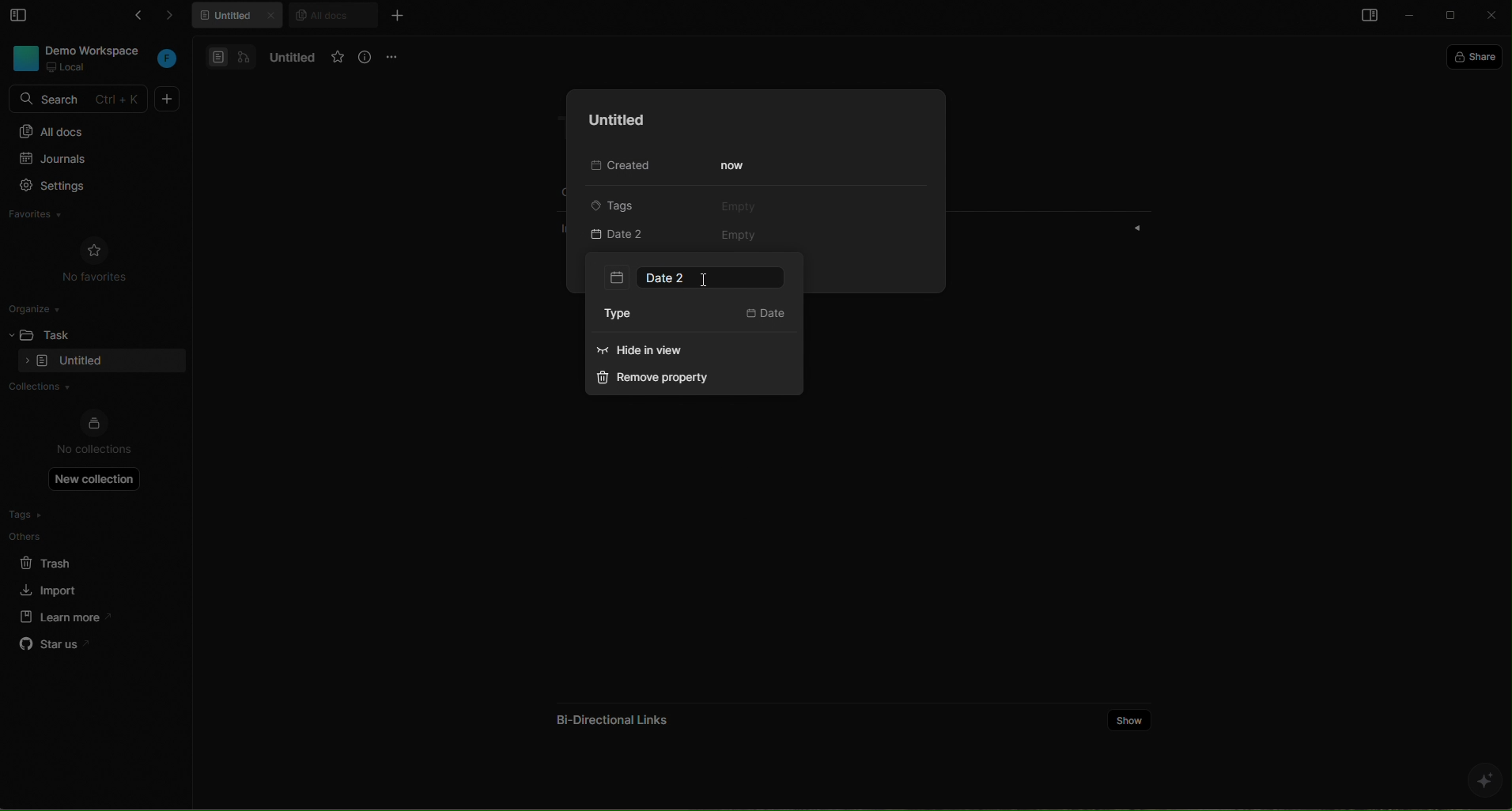  What do you see at coordinates (338, 58) in the screenshot?
I see `favorites` at bounding box center [338, 58].